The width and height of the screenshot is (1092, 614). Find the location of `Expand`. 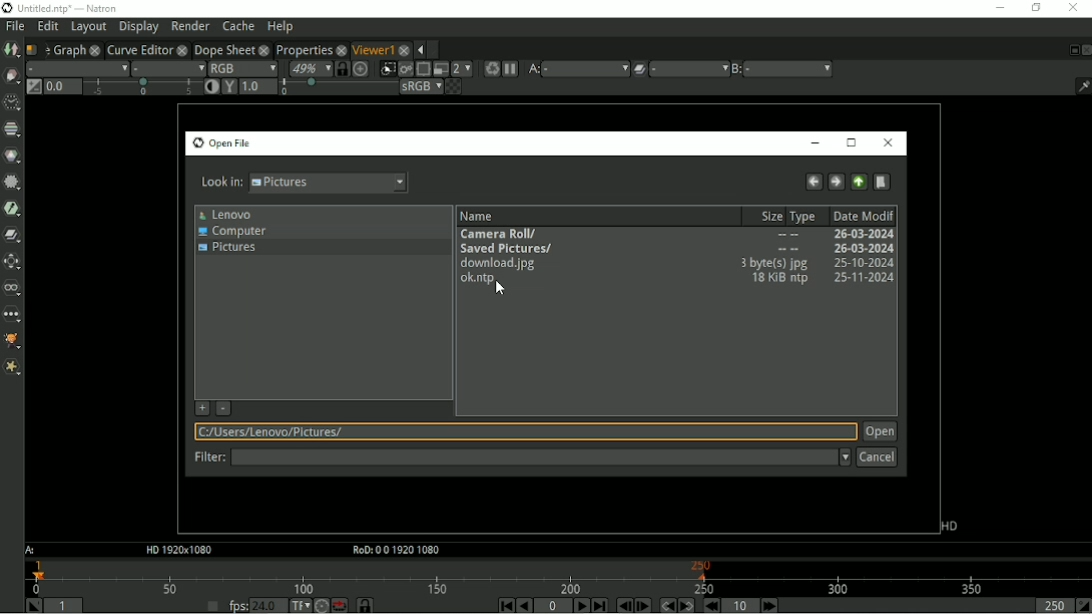

Expand is located at coordinates (435, 49).